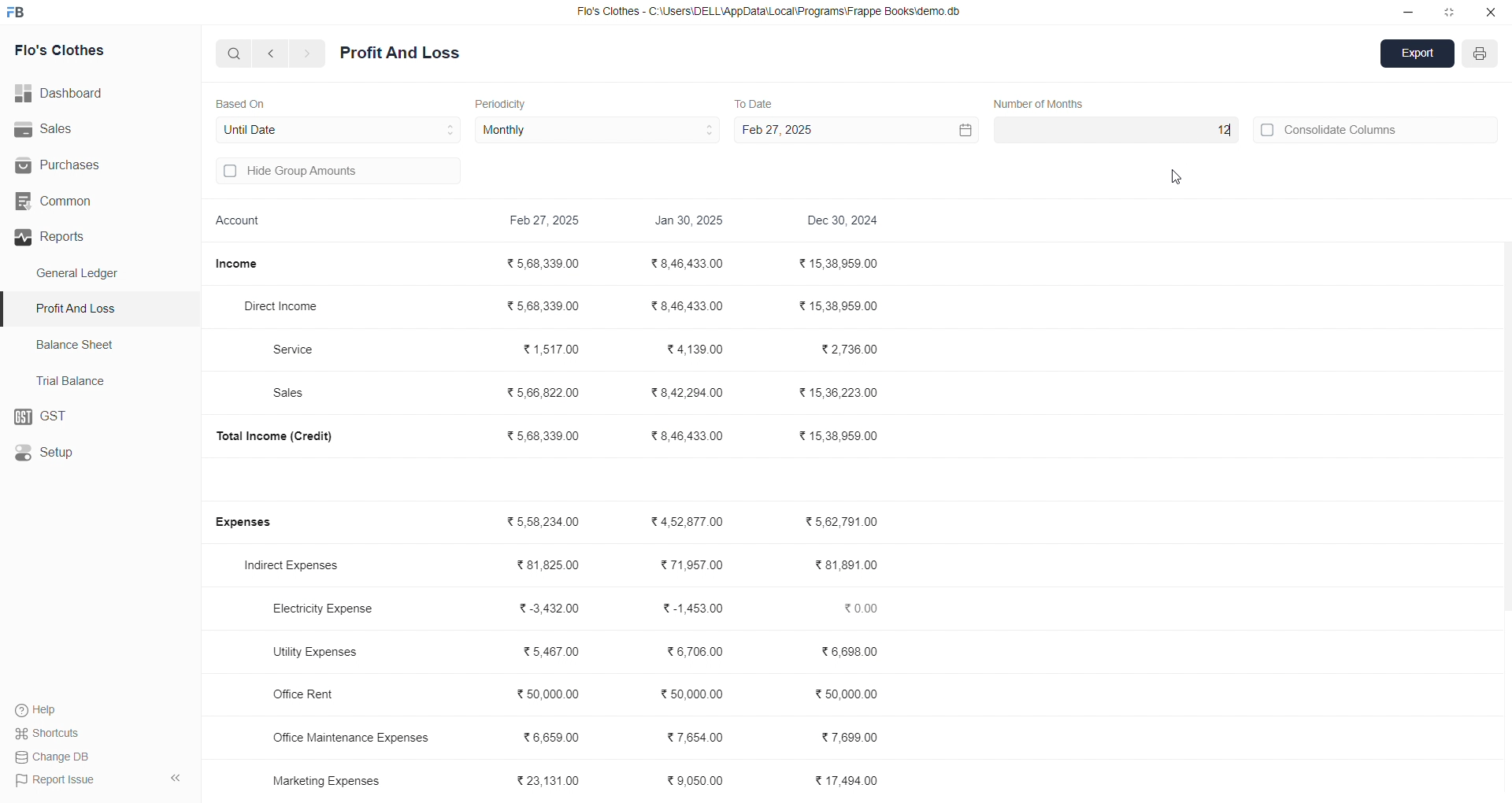 The image size is (1512, 803). I want to click on ₹ 17,494.00, so click(849, 780).